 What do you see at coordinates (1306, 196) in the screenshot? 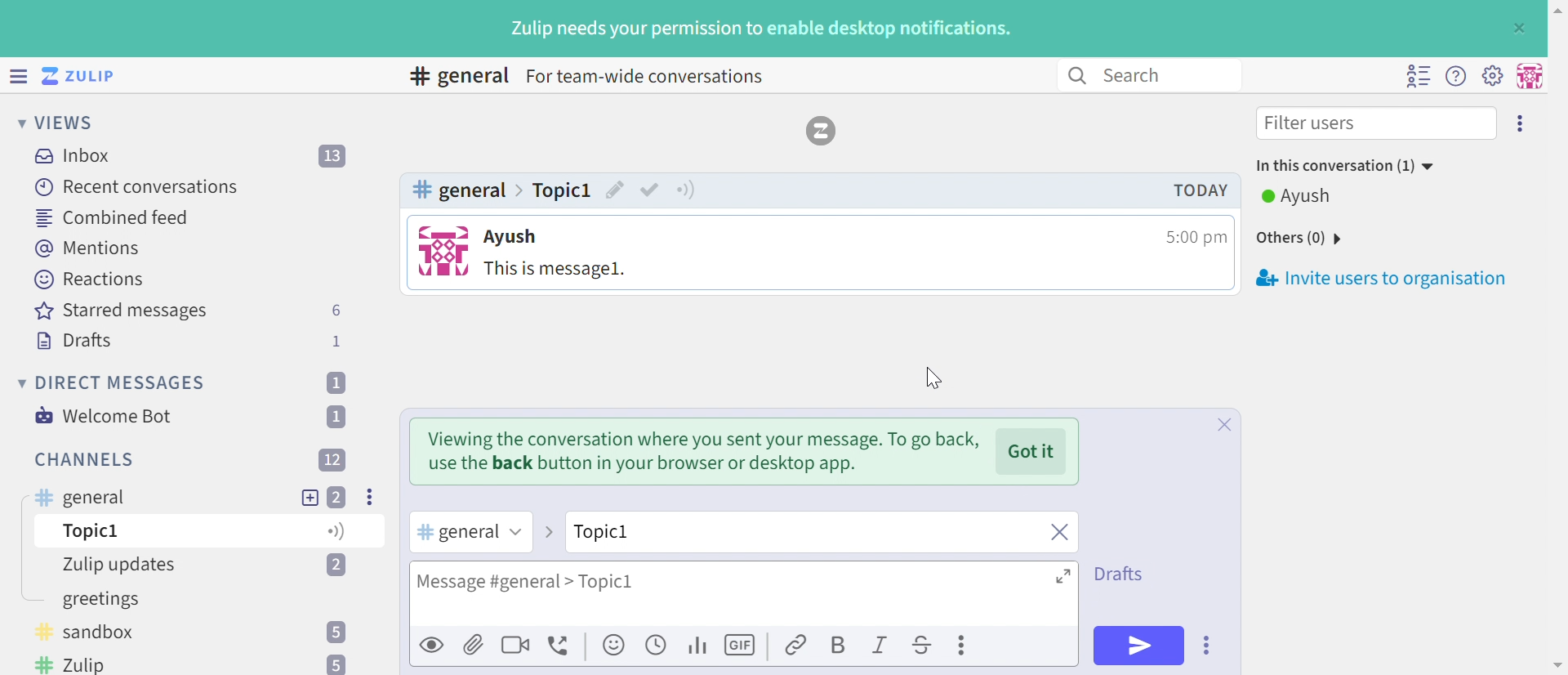
I see `Ayush` at bounding box center [1306, 196].